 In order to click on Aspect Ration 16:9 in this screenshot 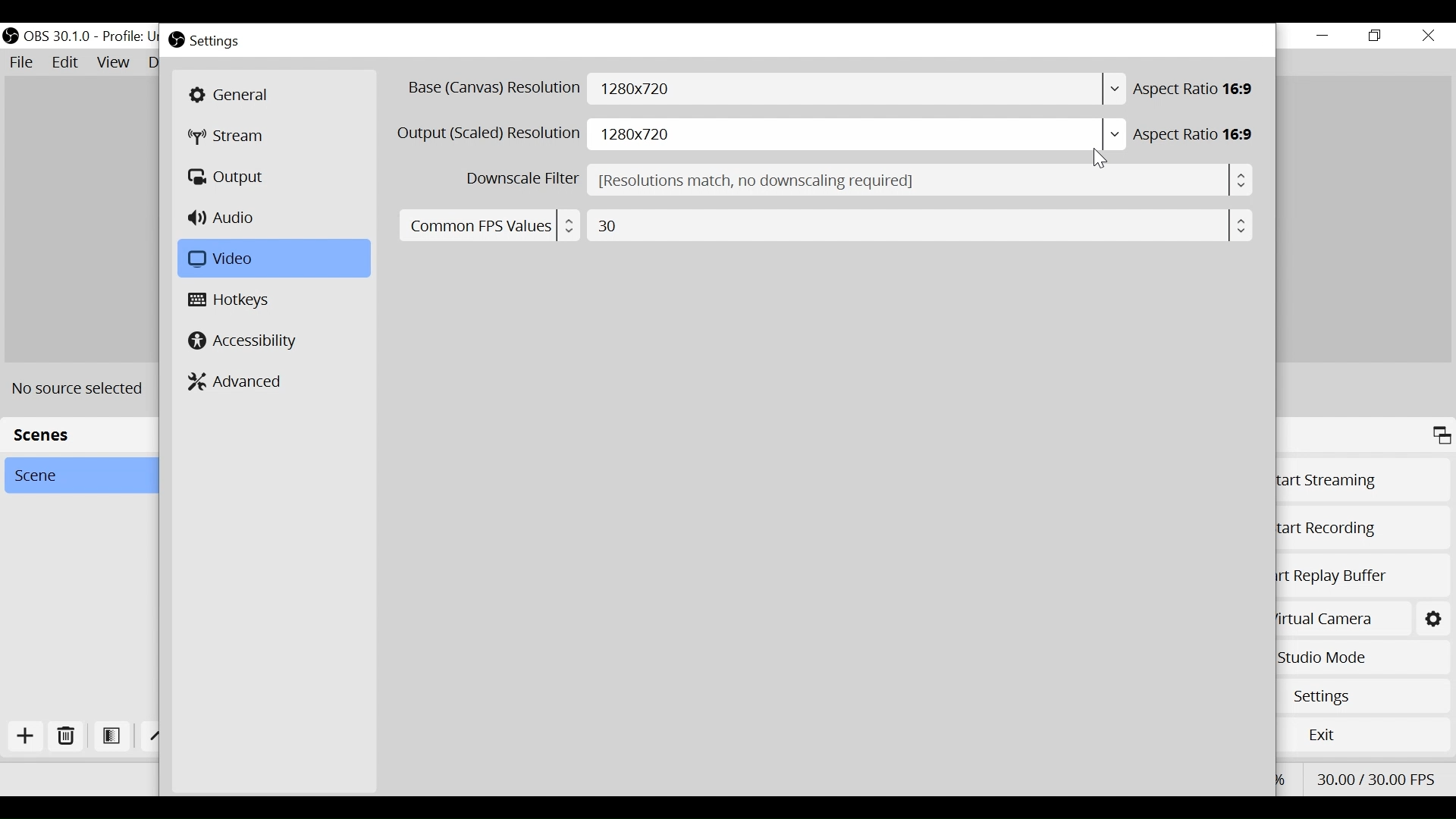, I will do `click(1198, 135)`.